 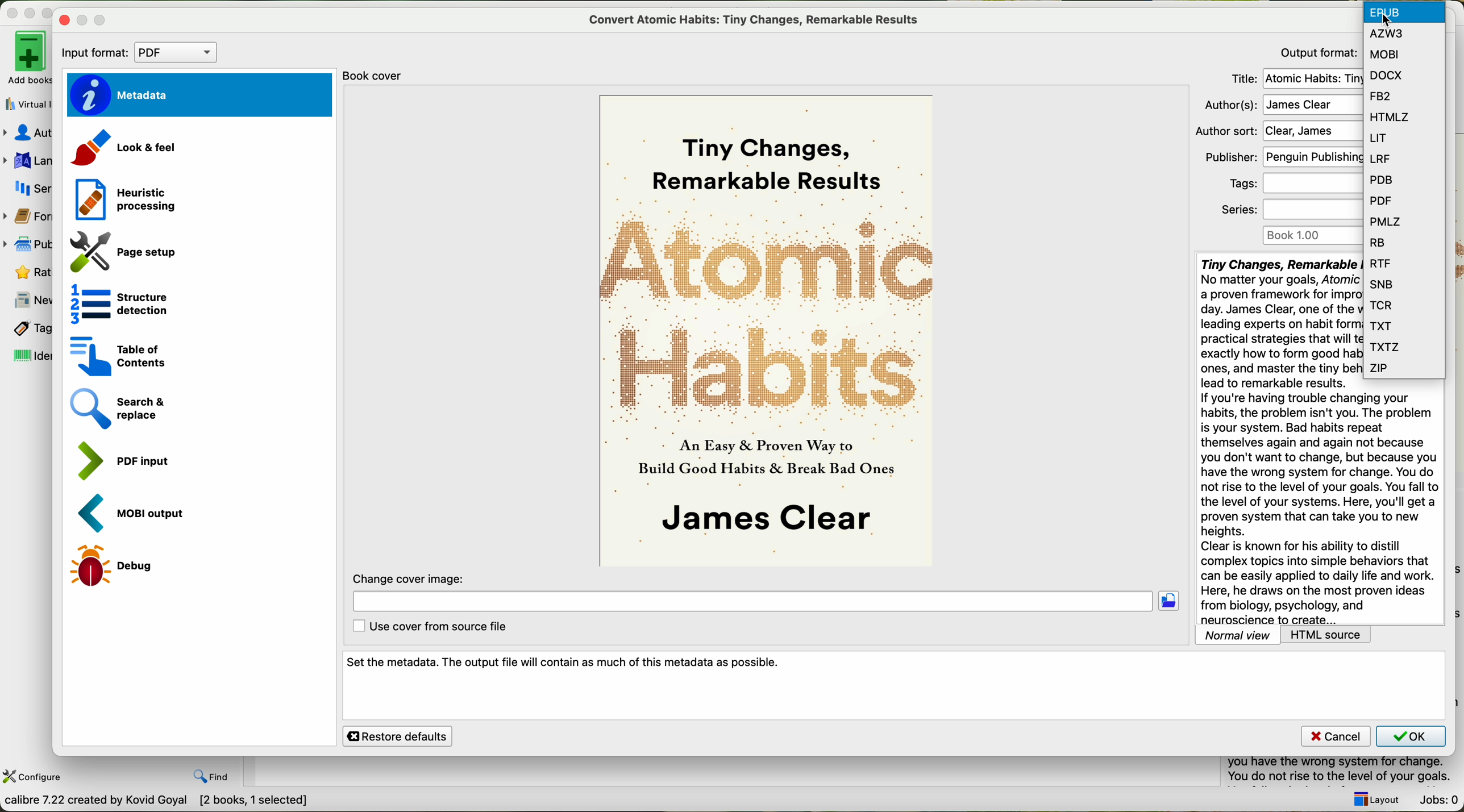 I want to click on HTML source, so click(x=1326, y=635).